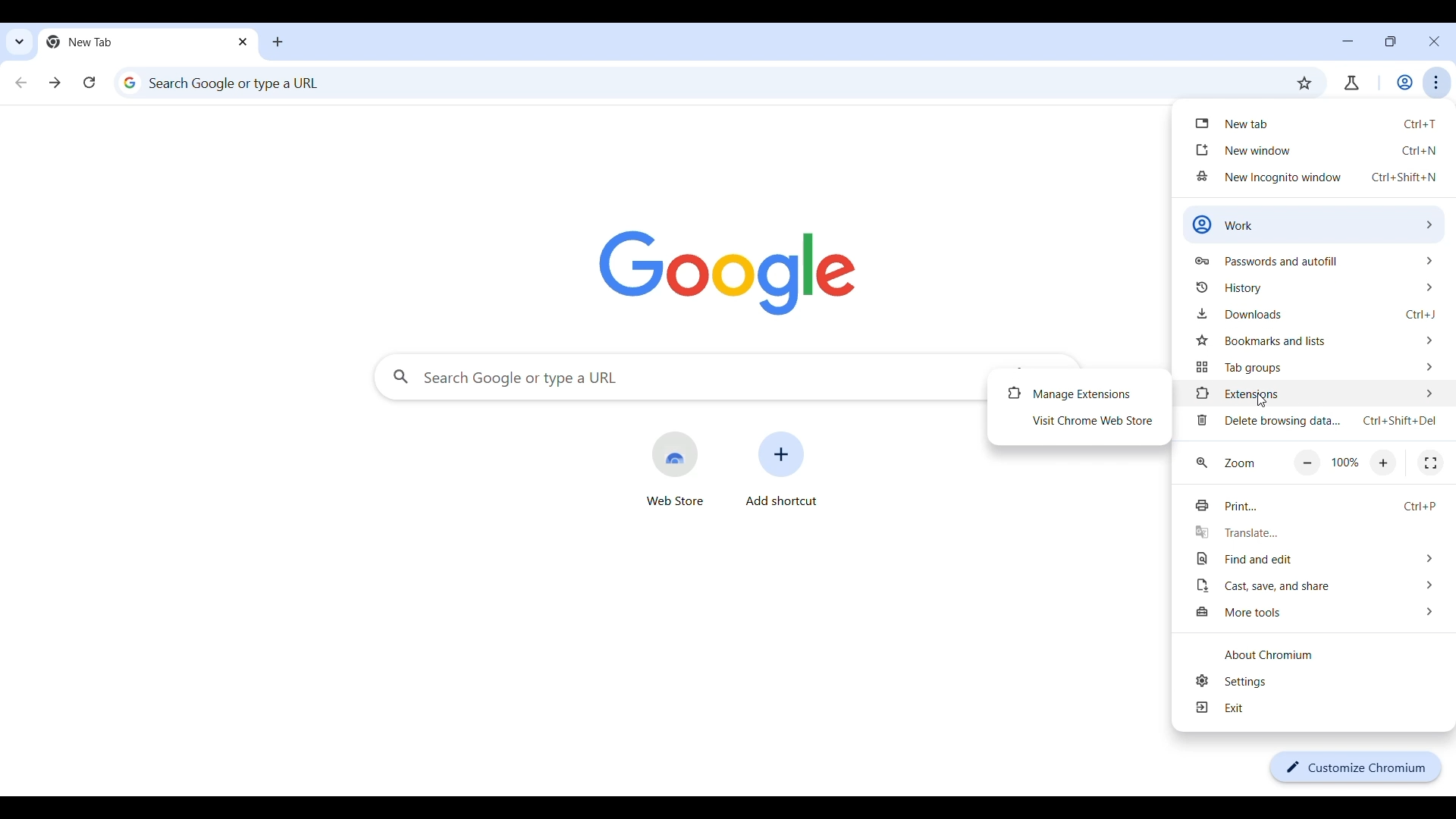 The width and height of the screenshot is (1456, 819). I want to click on Search Google or enter web link, so click(692, 83).